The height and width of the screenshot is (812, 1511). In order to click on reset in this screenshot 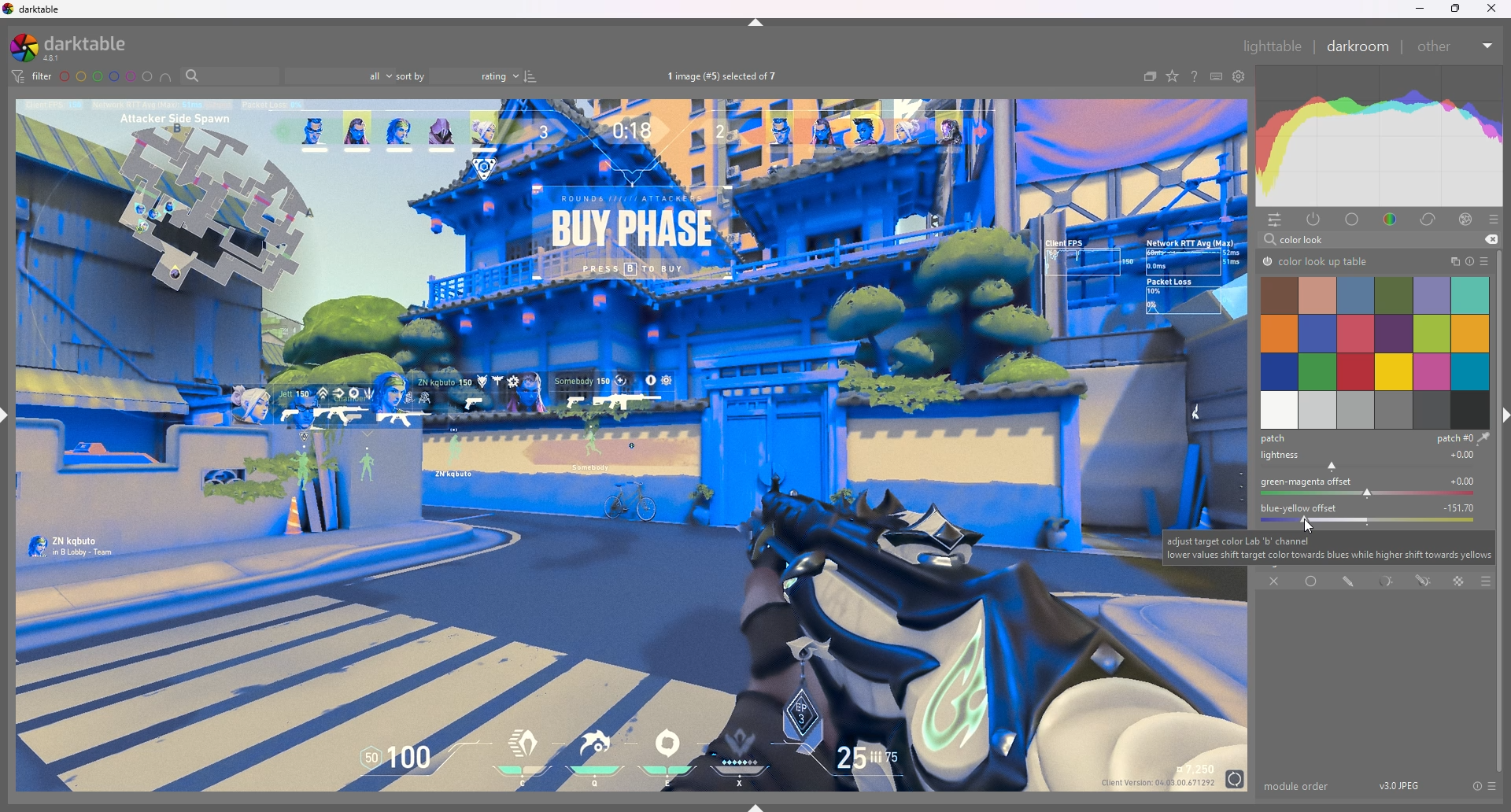, I will do `click(1470, 261)`.